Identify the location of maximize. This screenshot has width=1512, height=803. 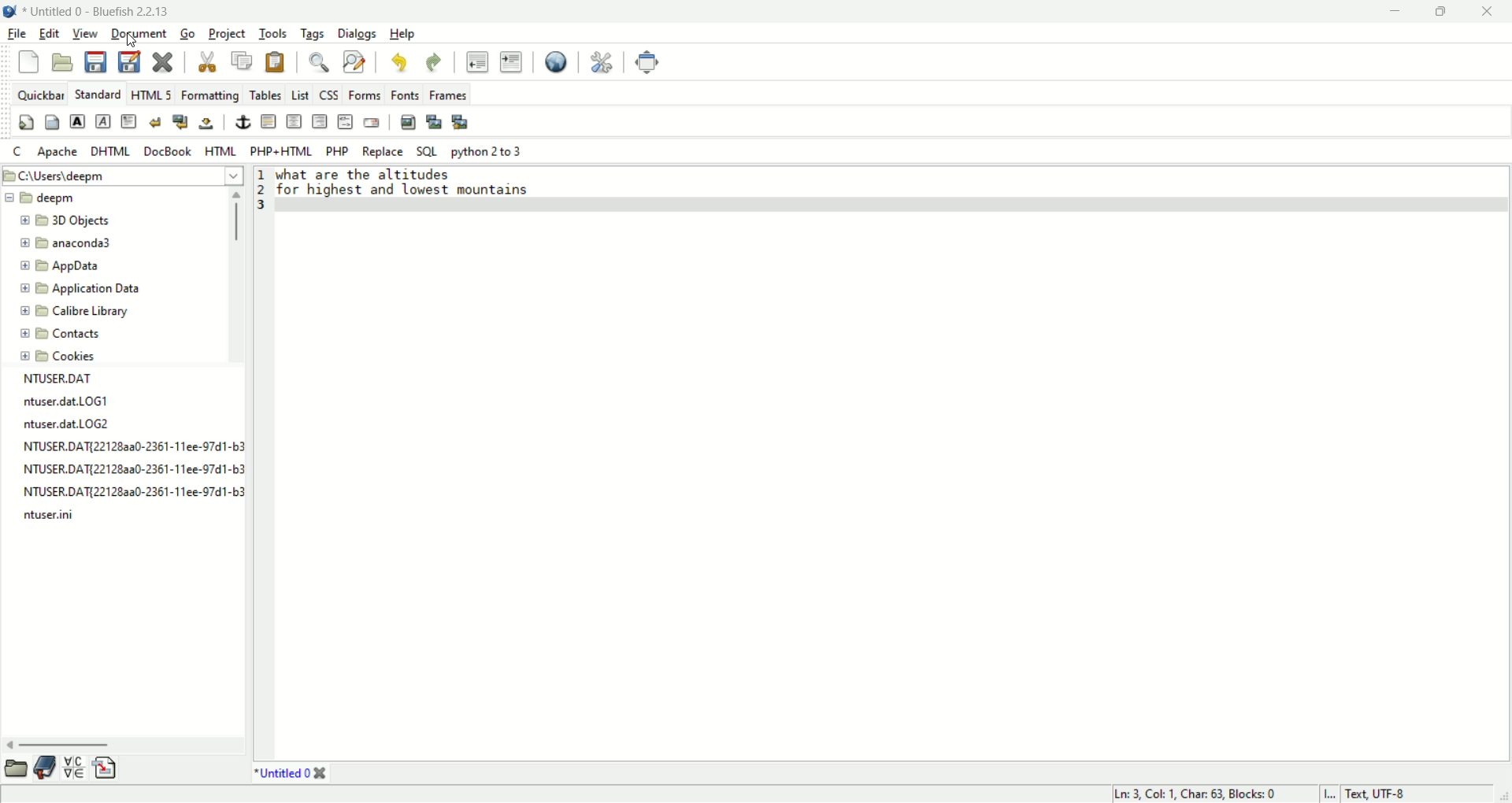
(1438, 12).